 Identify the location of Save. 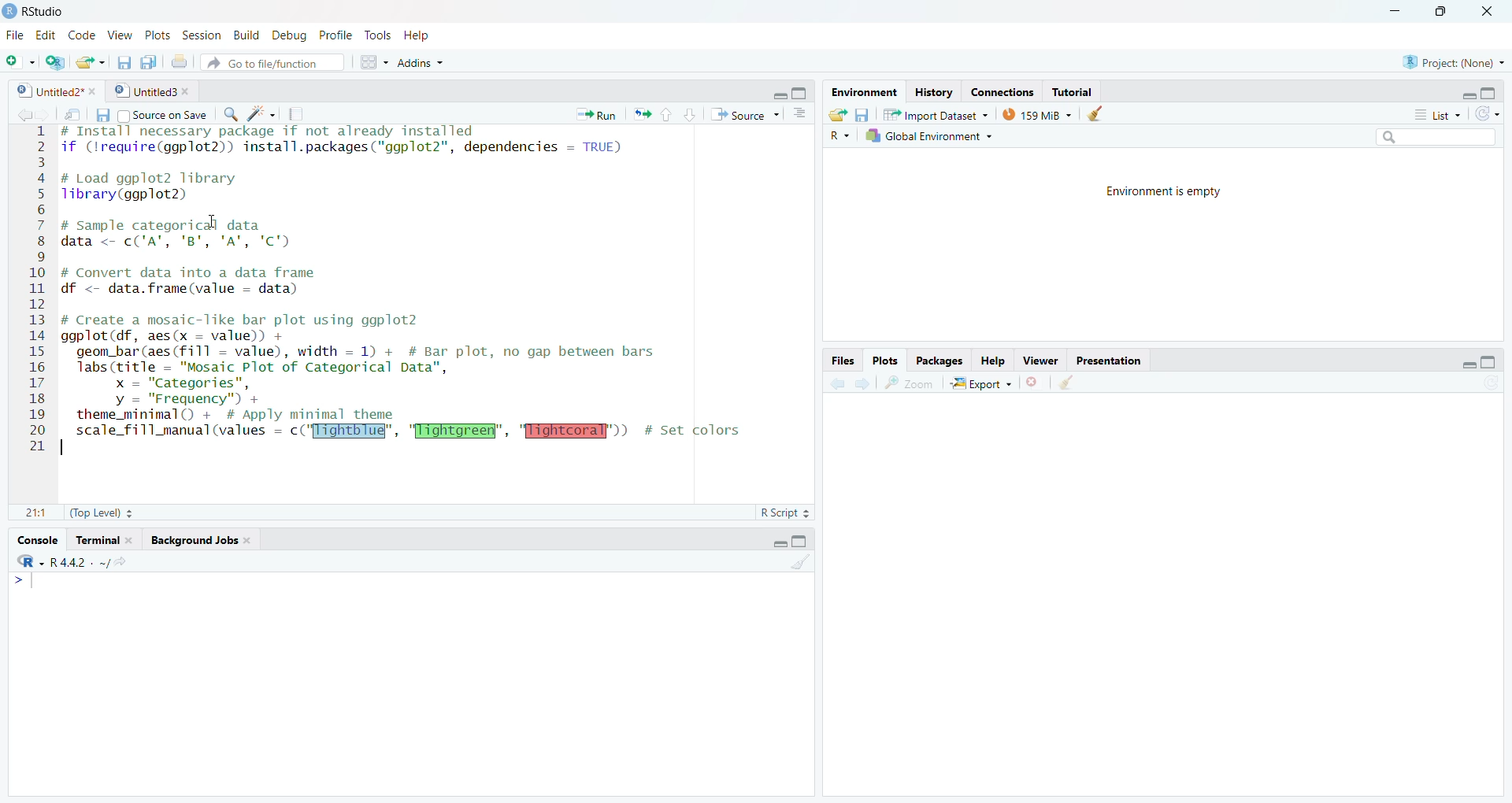
(98, 117).